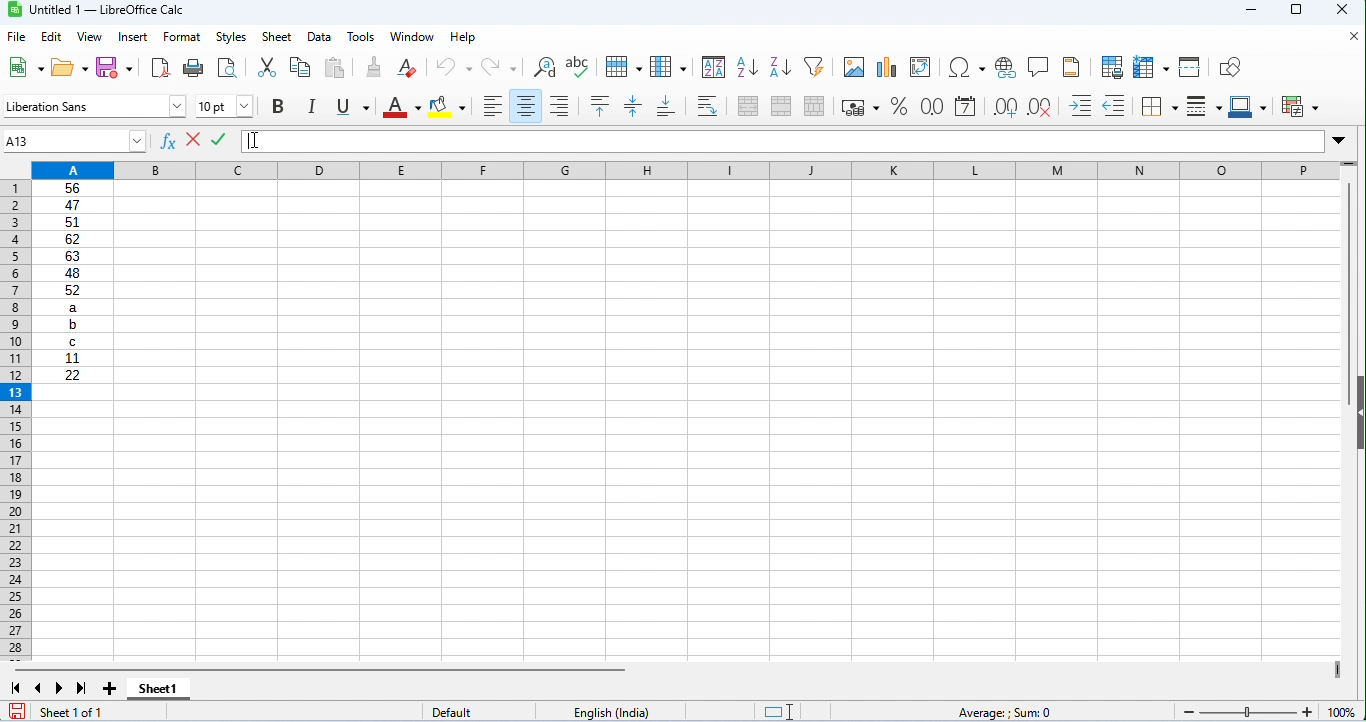 The image size is (1366, 722). What do you see at coordinates (159, 690) in the screenshot?
I see `sheet1` at bounding box center [159, 690].